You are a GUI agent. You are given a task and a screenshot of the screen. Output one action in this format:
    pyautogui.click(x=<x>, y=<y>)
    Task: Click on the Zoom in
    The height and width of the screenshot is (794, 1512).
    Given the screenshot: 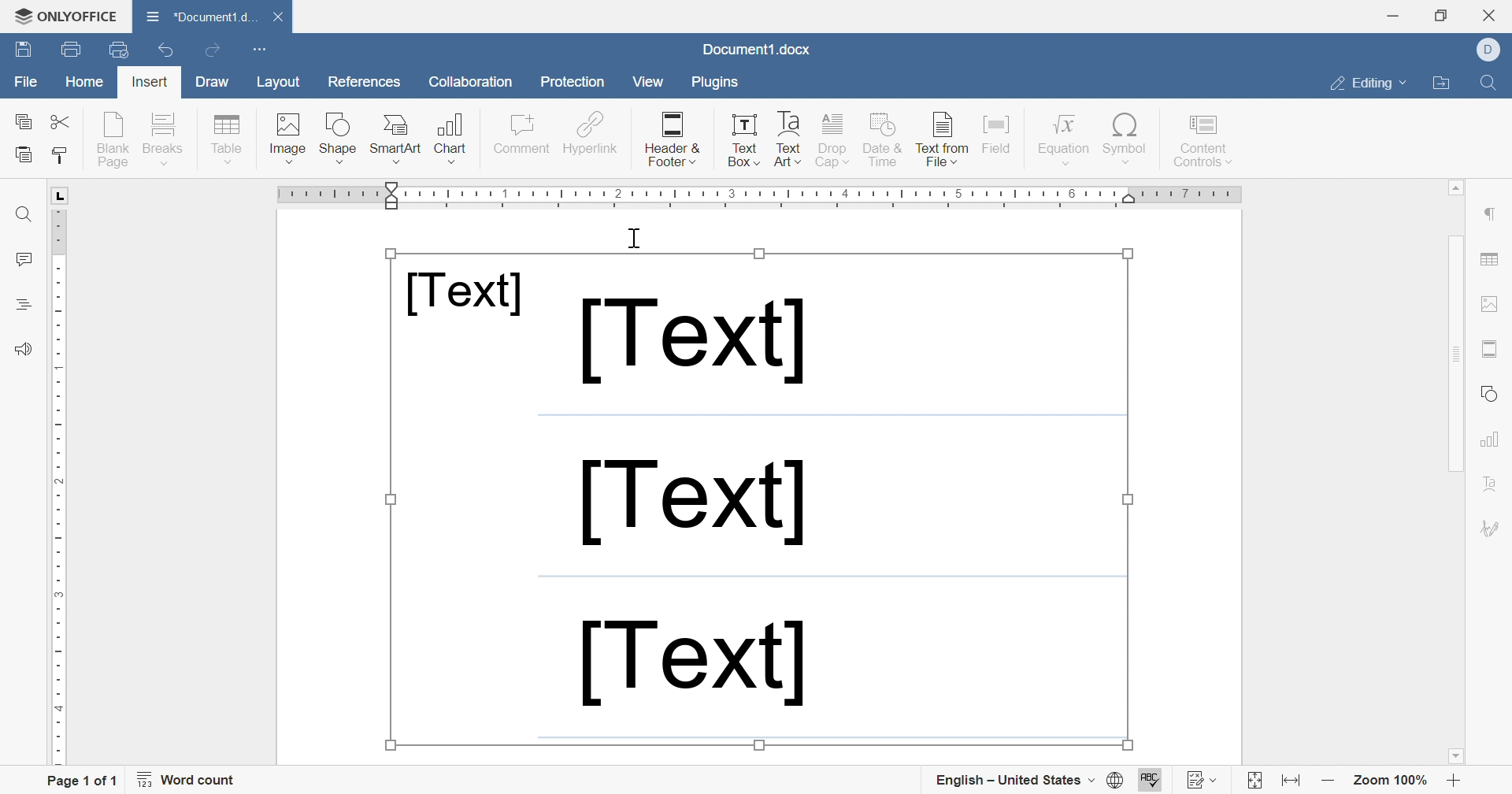 What is the action you would take?
    pyautogui.click(x=1454, y=781)
    